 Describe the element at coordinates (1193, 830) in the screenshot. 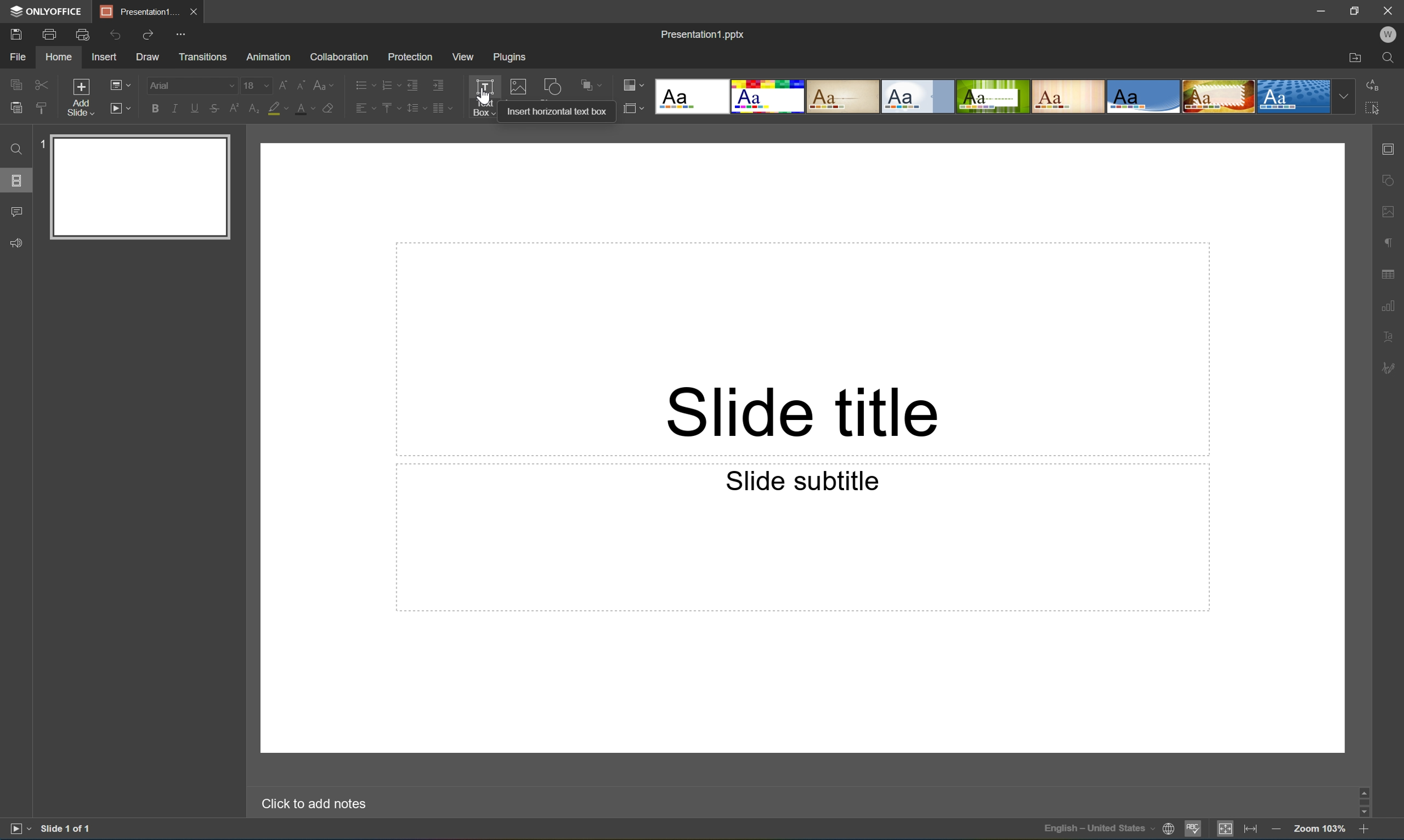

I see `Spell checking` at that location.